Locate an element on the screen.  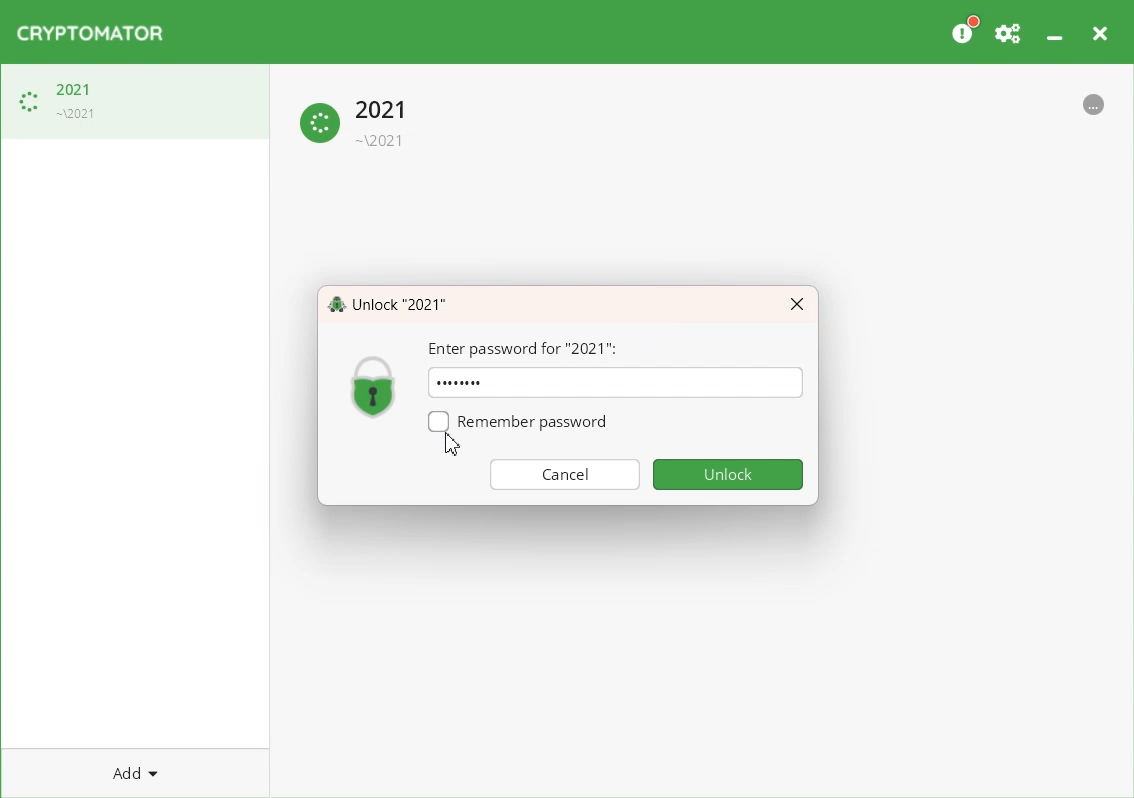
Preferences is located at coordinates (1009, 30).